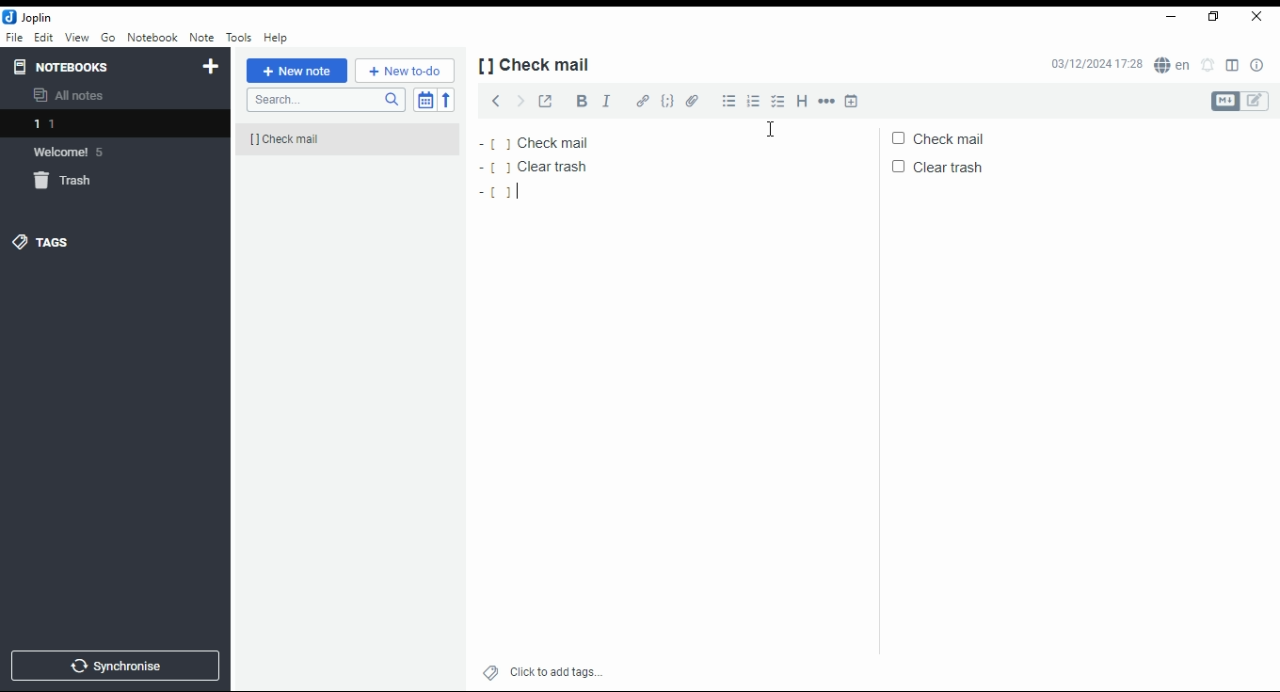 The image size is (1280, 692). Describe the element at coordinates (494, 100) in the screenshot. I see `previous` at that location.